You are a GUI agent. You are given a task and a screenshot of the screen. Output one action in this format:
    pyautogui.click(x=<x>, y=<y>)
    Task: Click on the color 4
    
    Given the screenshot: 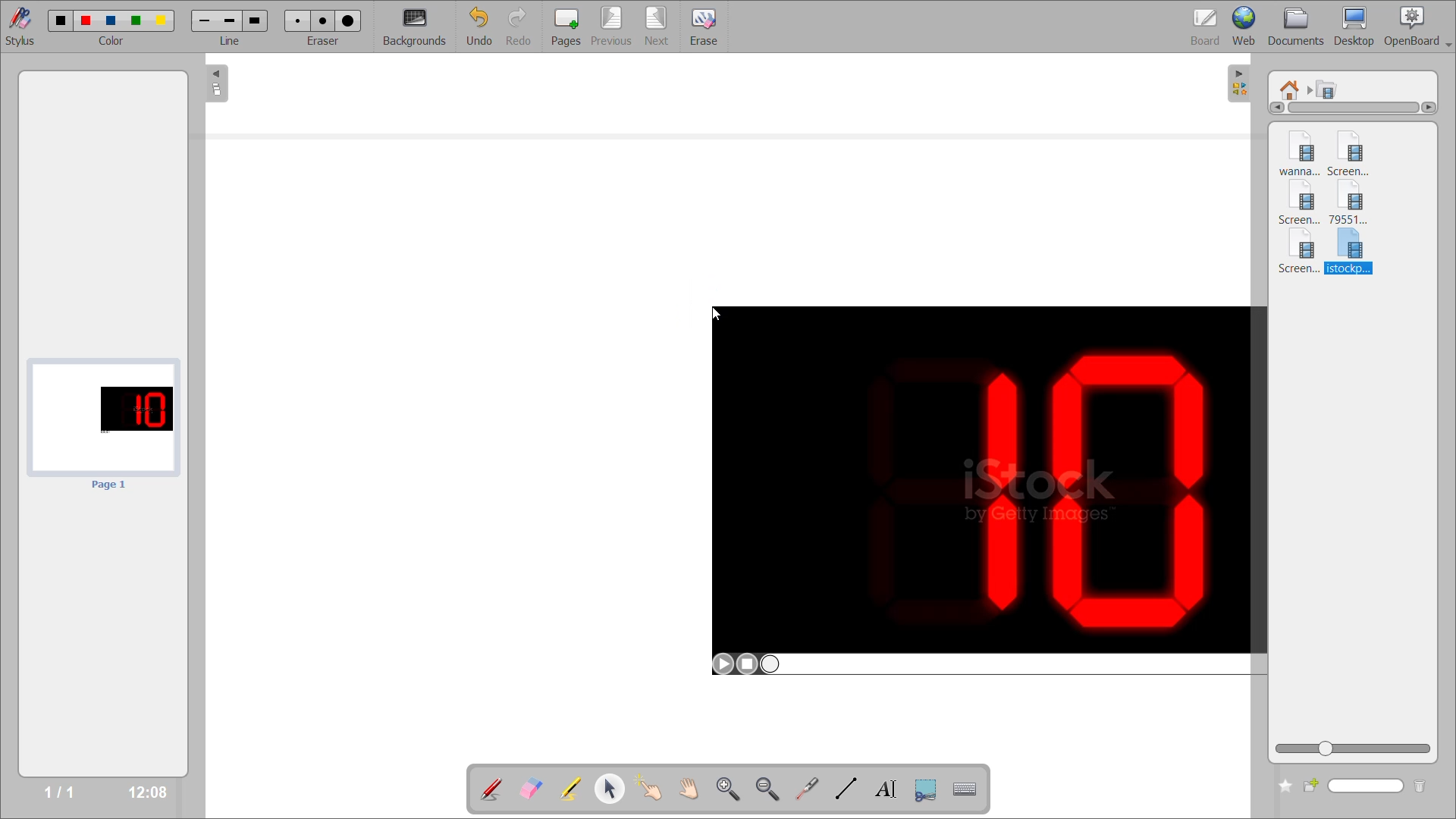 What is the action you would take?
    pyautogui.click(x=137, y=21)
    